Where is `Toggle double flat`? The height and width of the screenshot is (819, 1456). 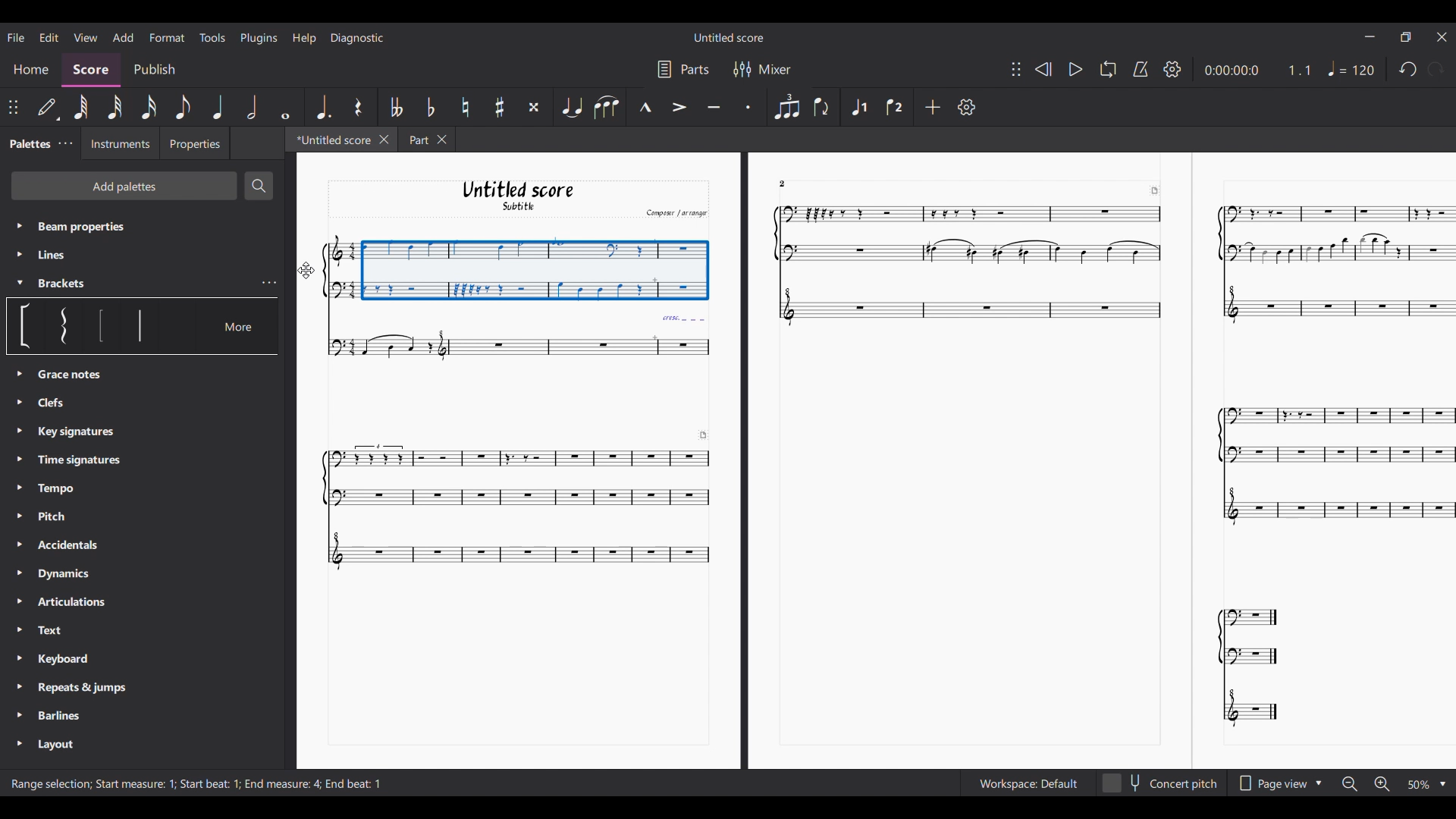 Toggle double flat is located at coordinates (397, 106).